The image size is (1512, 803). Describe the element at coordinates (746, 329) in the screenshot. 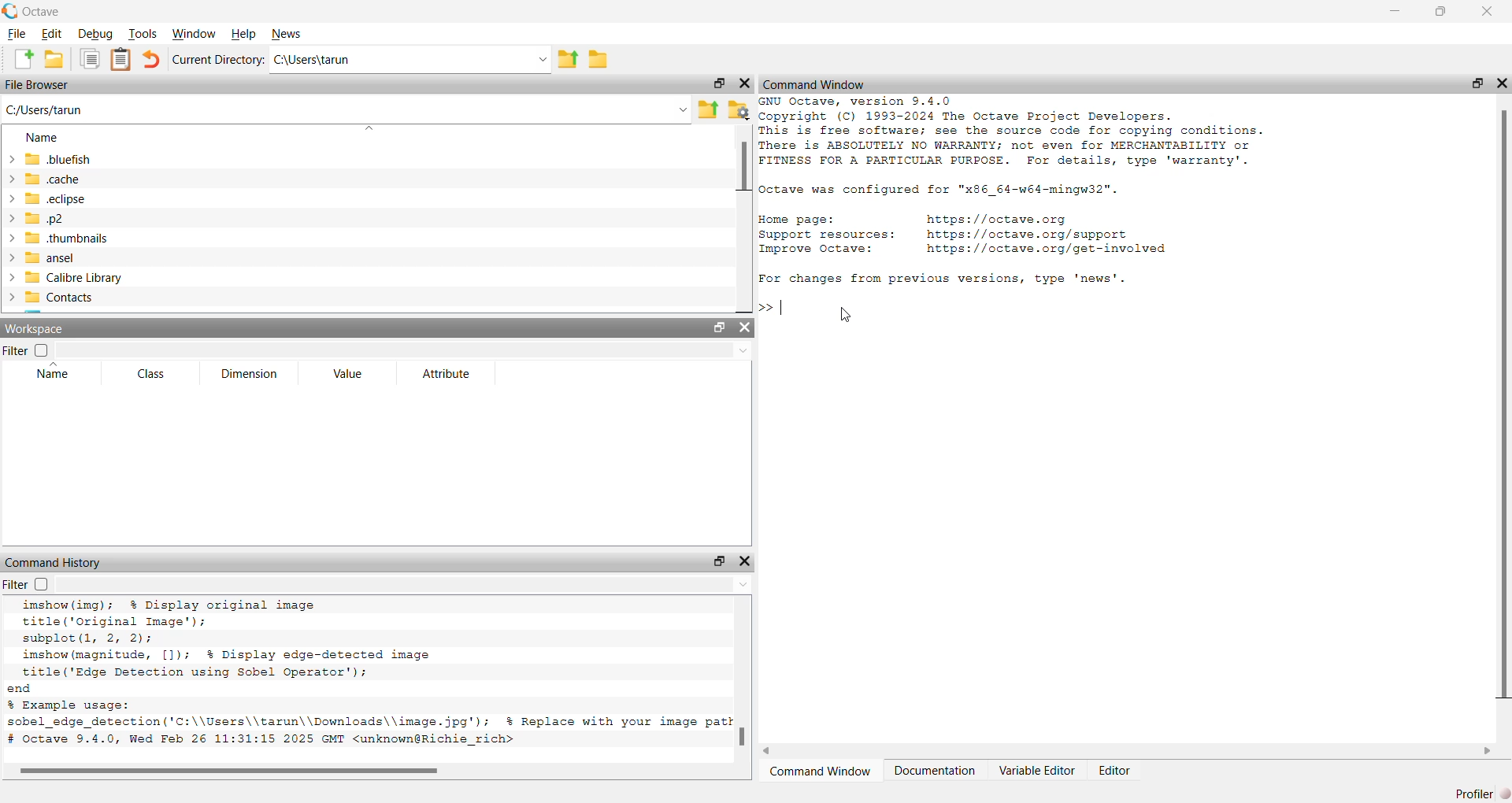

I see `close` at that location.